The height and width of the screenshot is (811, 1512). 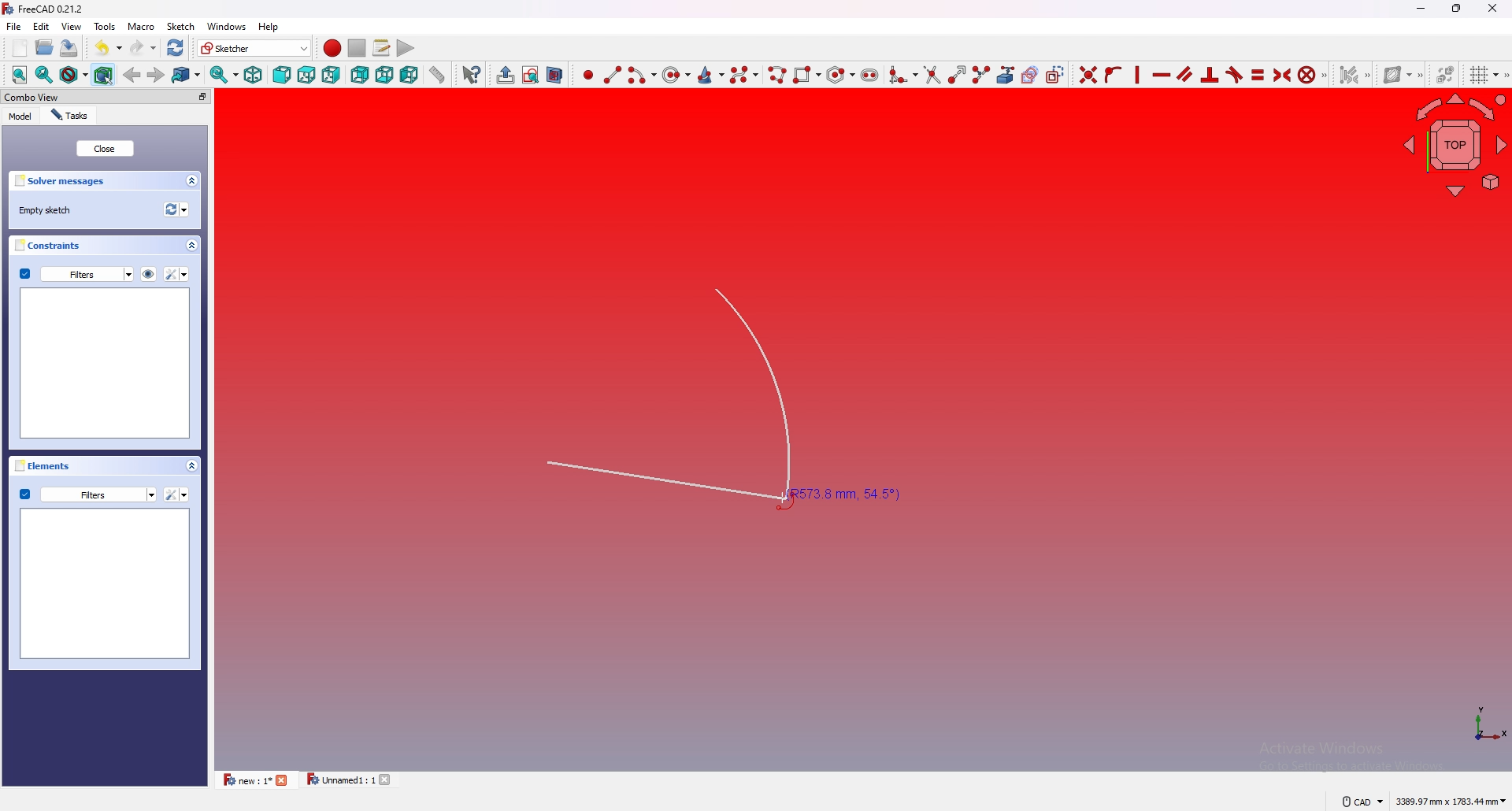 What do you see at coordinates (46, 465) in the screenshot?
I see `elements` at bounding box center [46, 465].